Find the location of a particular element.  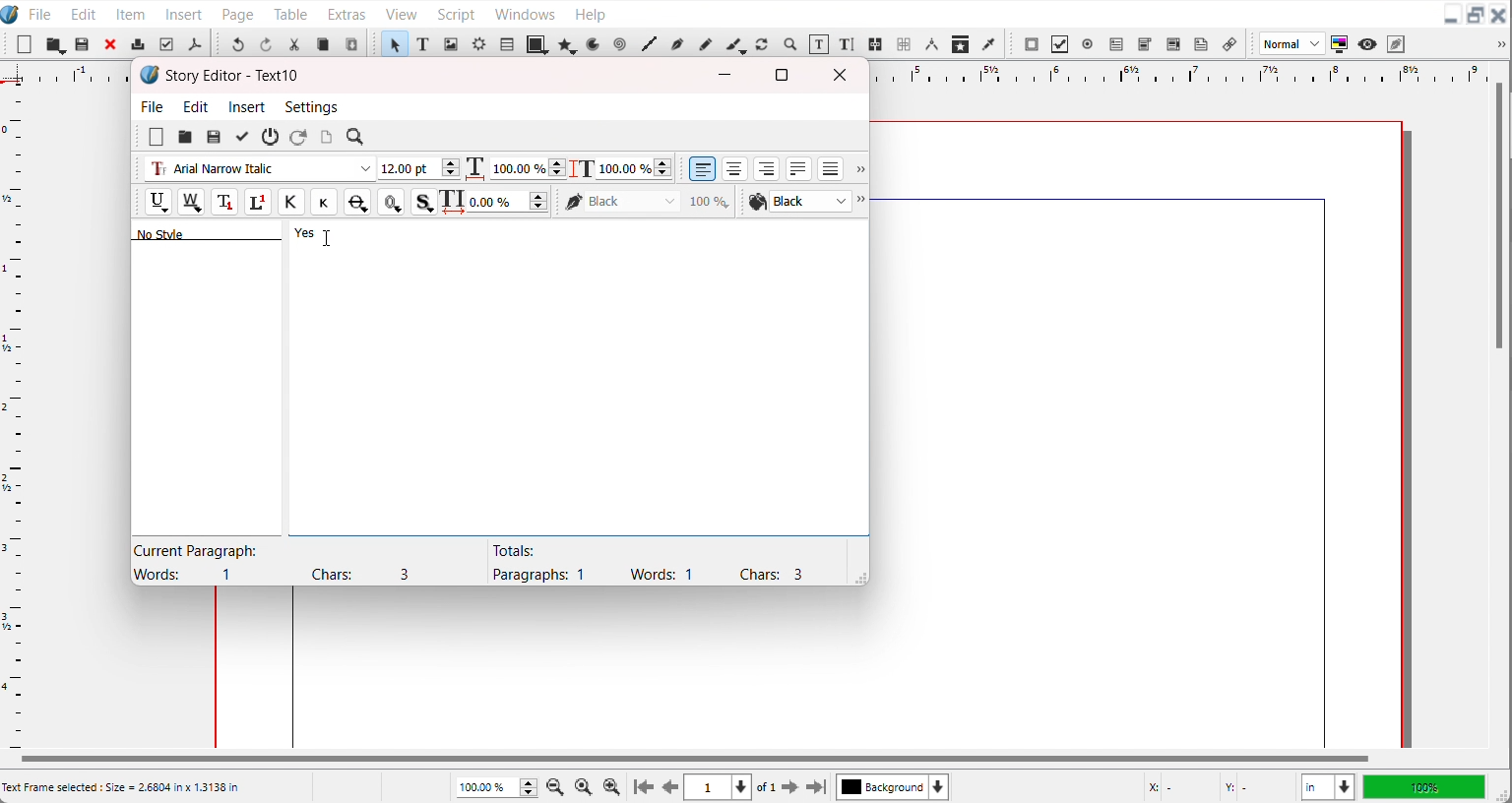

PDF Push button is located at coordinates (1032, 43).